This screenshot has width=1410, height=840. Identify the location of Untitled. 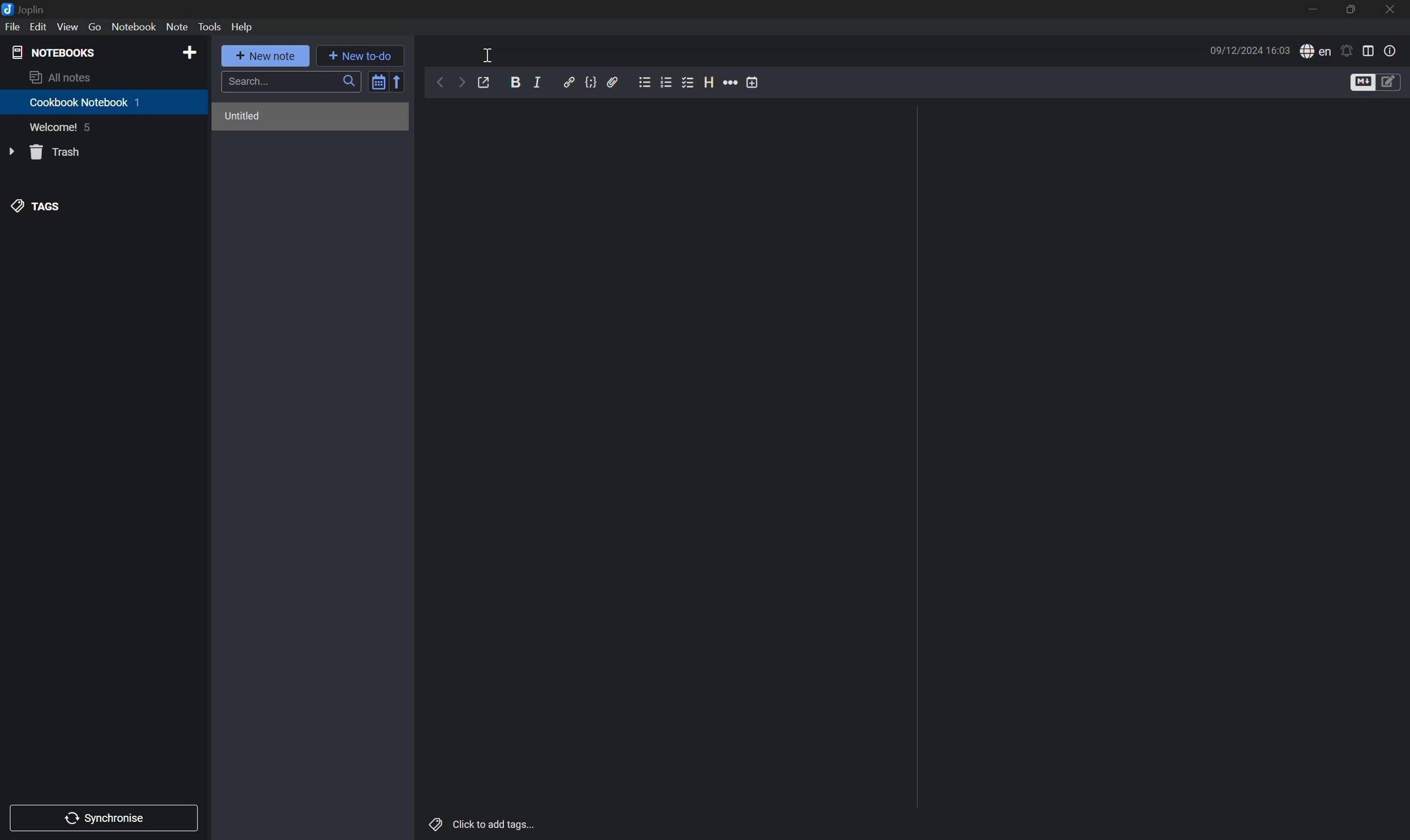
(244, 117).